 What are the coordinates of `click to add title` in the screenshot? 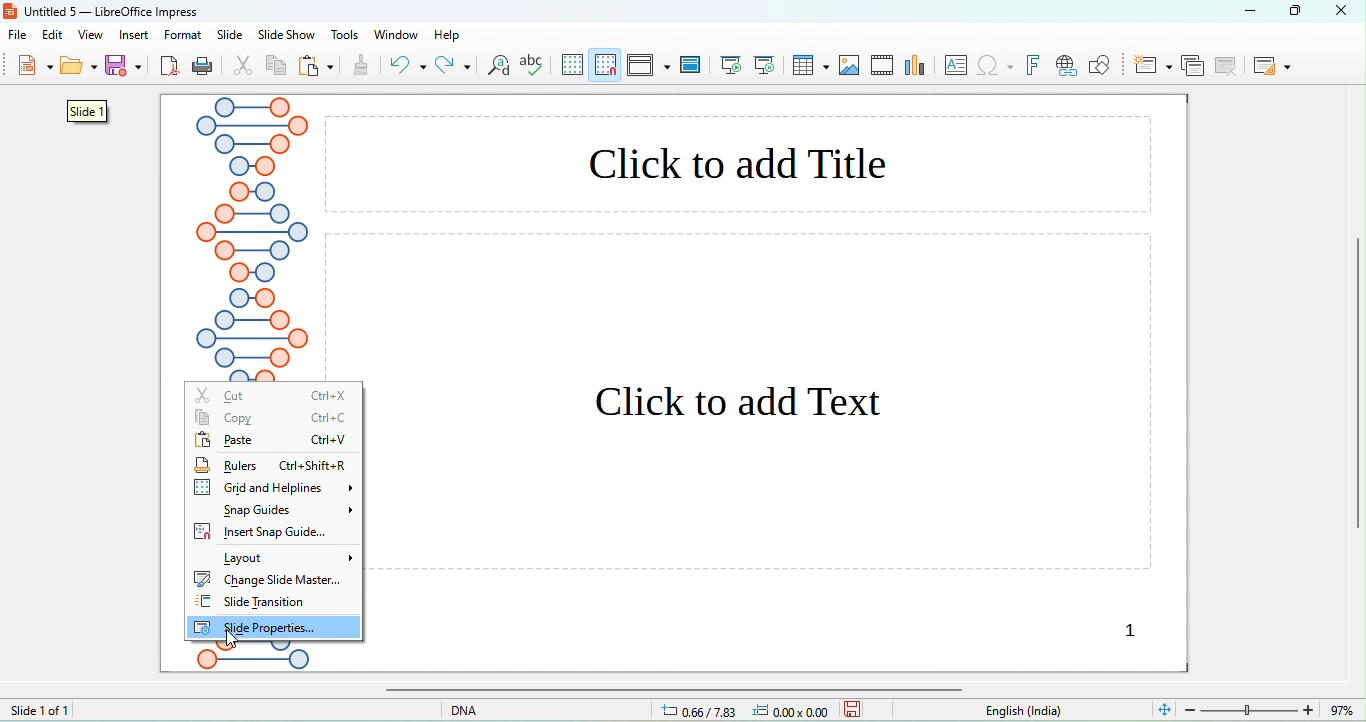 It's located at (738, 163).